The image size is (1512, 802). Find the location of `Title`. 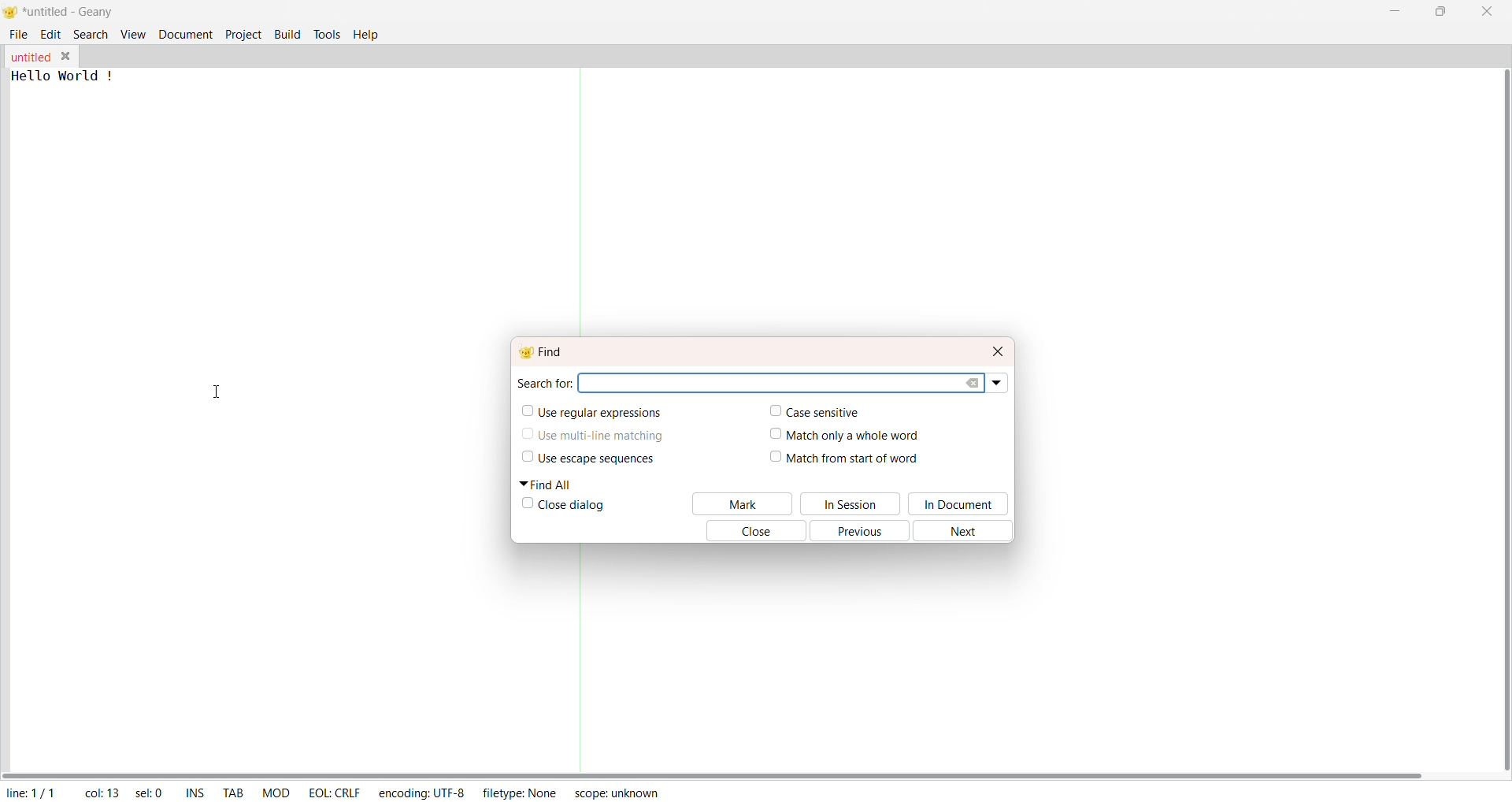

Title is located at coordinates (72, 13).